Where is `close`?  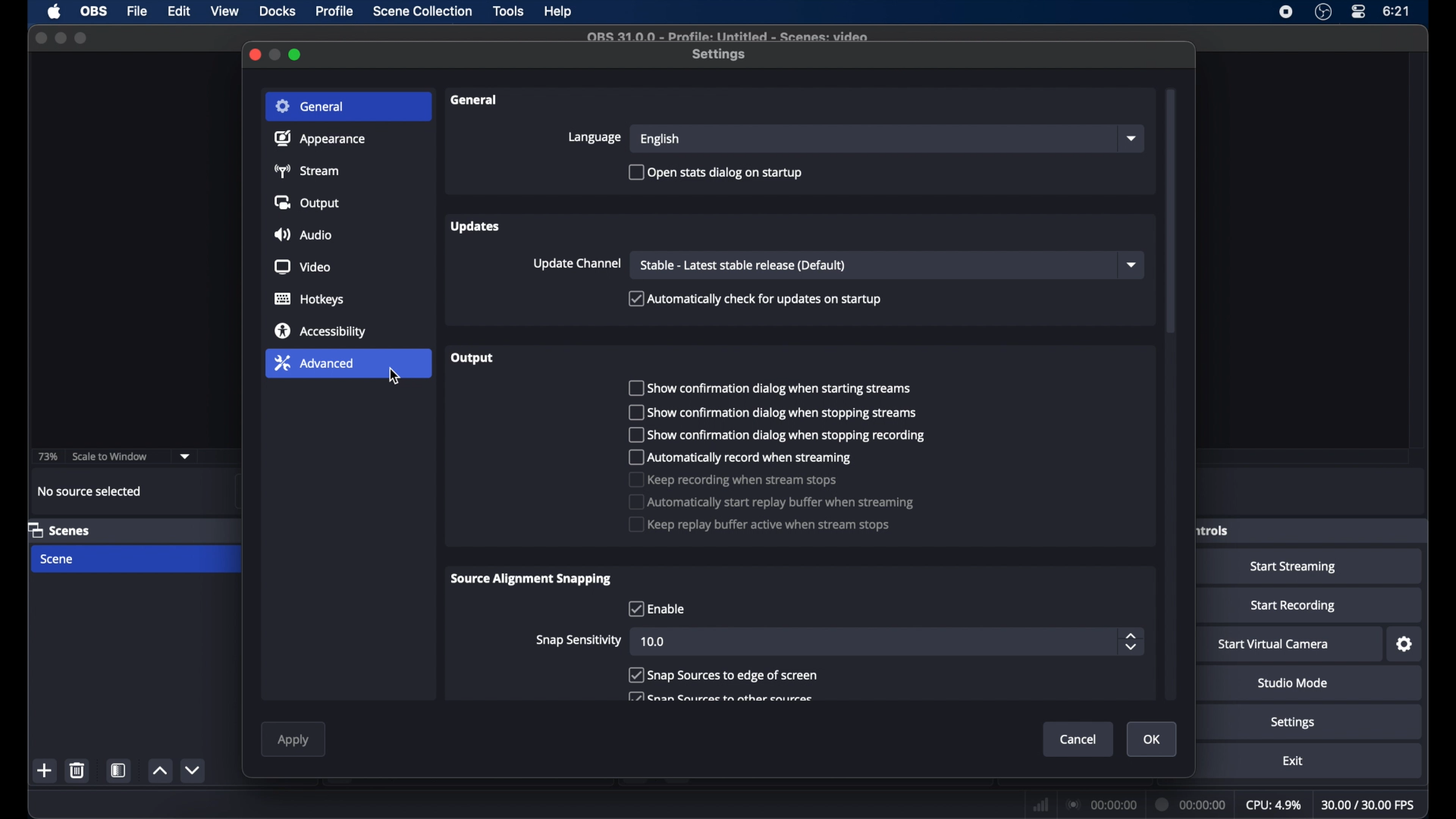 close is located at coordinates (40, 37).